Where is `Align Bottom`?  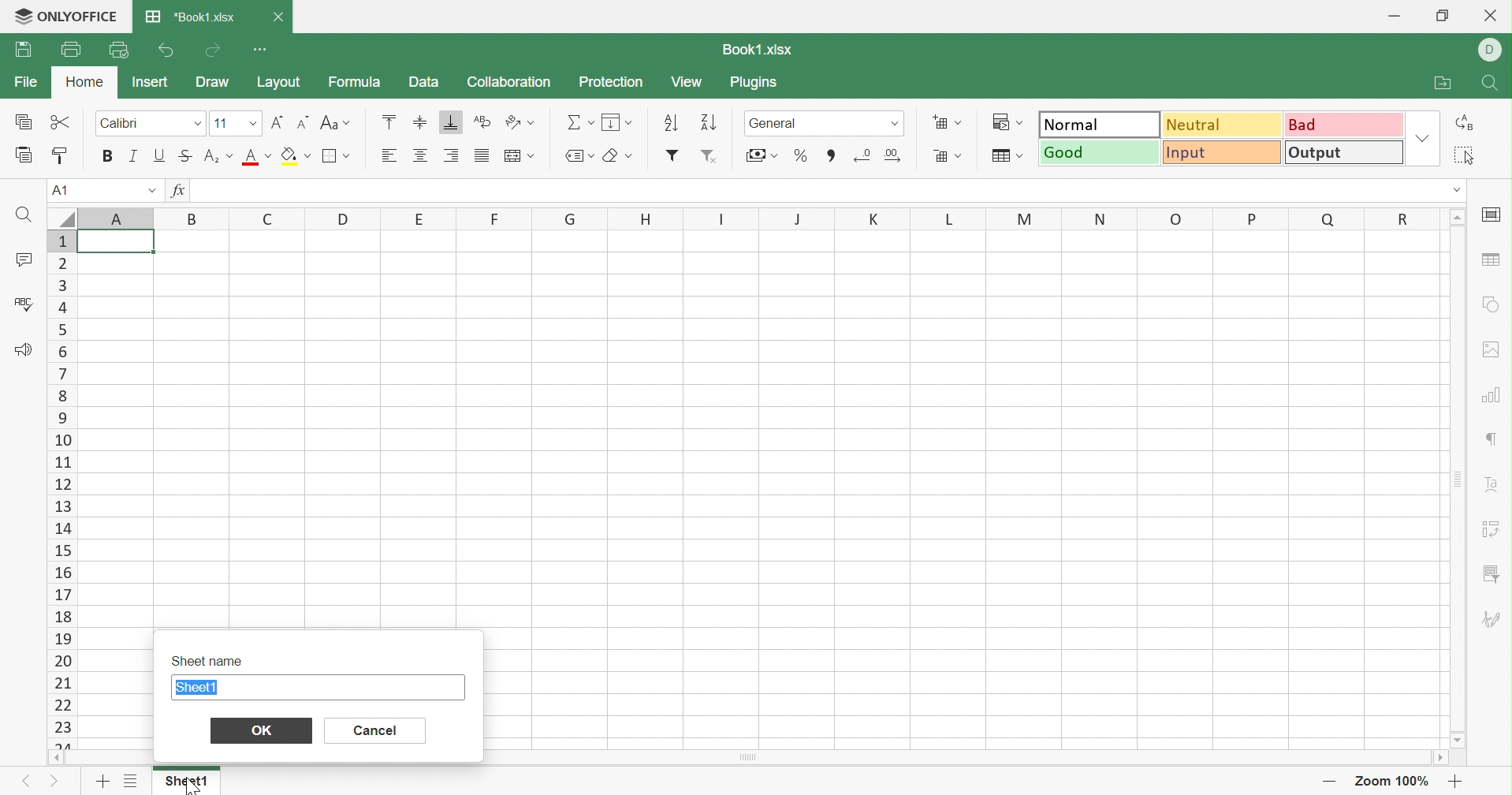
Align Bottom is located at coordinates (450, 121).